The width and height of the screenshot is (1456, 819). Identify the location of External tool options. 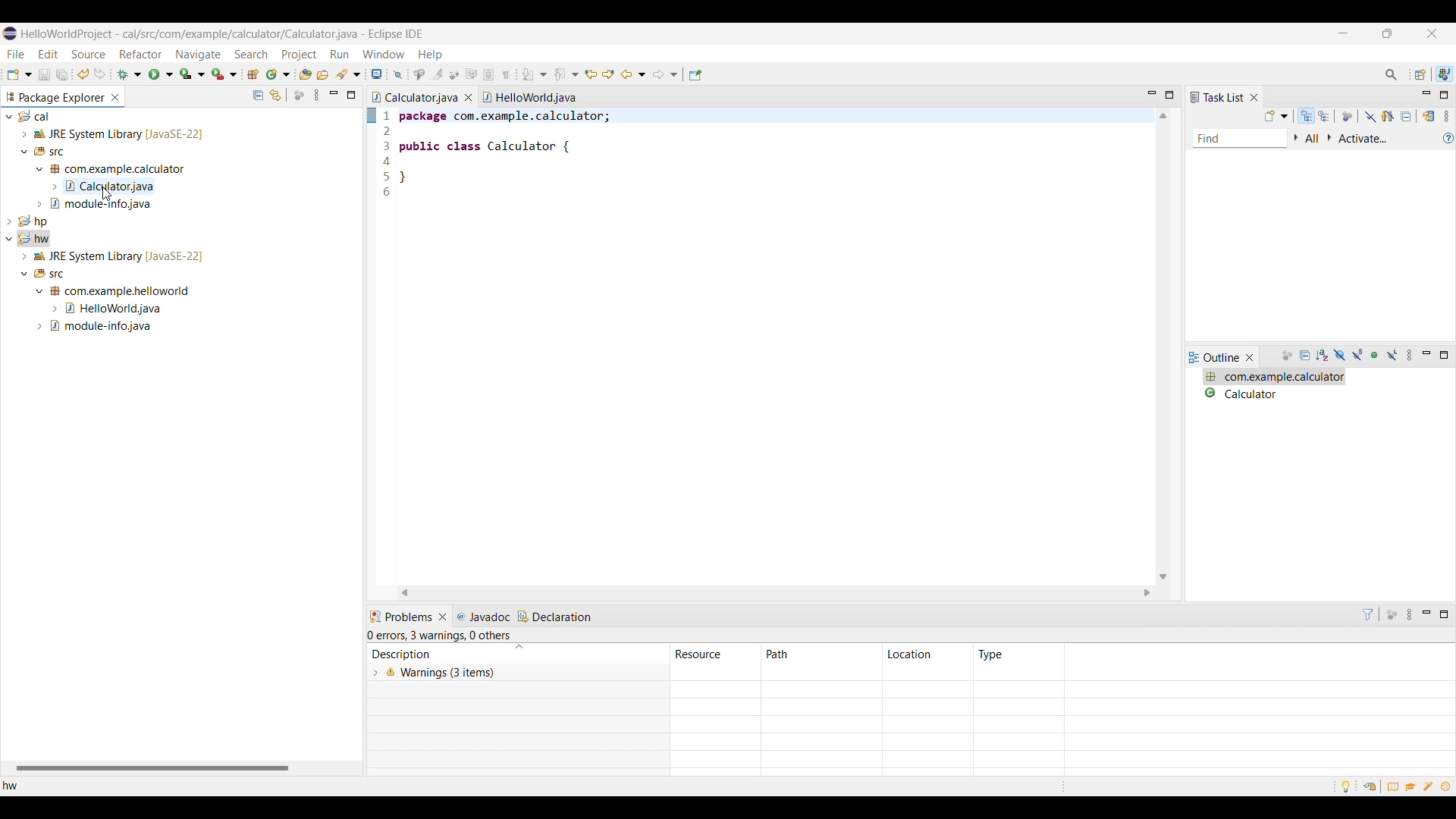
(224, 74).